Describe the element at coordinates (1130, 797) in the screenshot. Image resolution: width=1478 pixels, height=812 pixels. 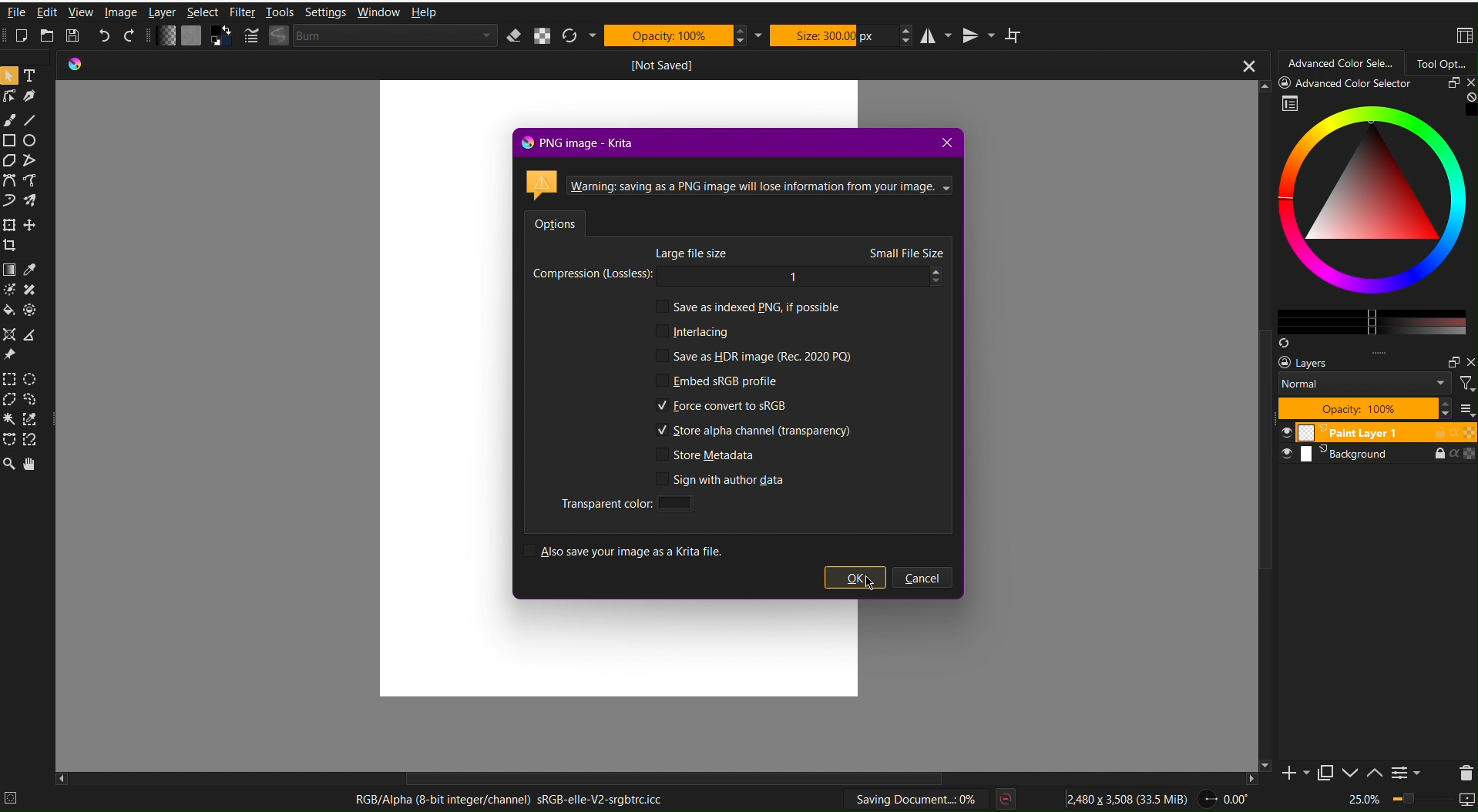
I see `Dimensions` at that location.